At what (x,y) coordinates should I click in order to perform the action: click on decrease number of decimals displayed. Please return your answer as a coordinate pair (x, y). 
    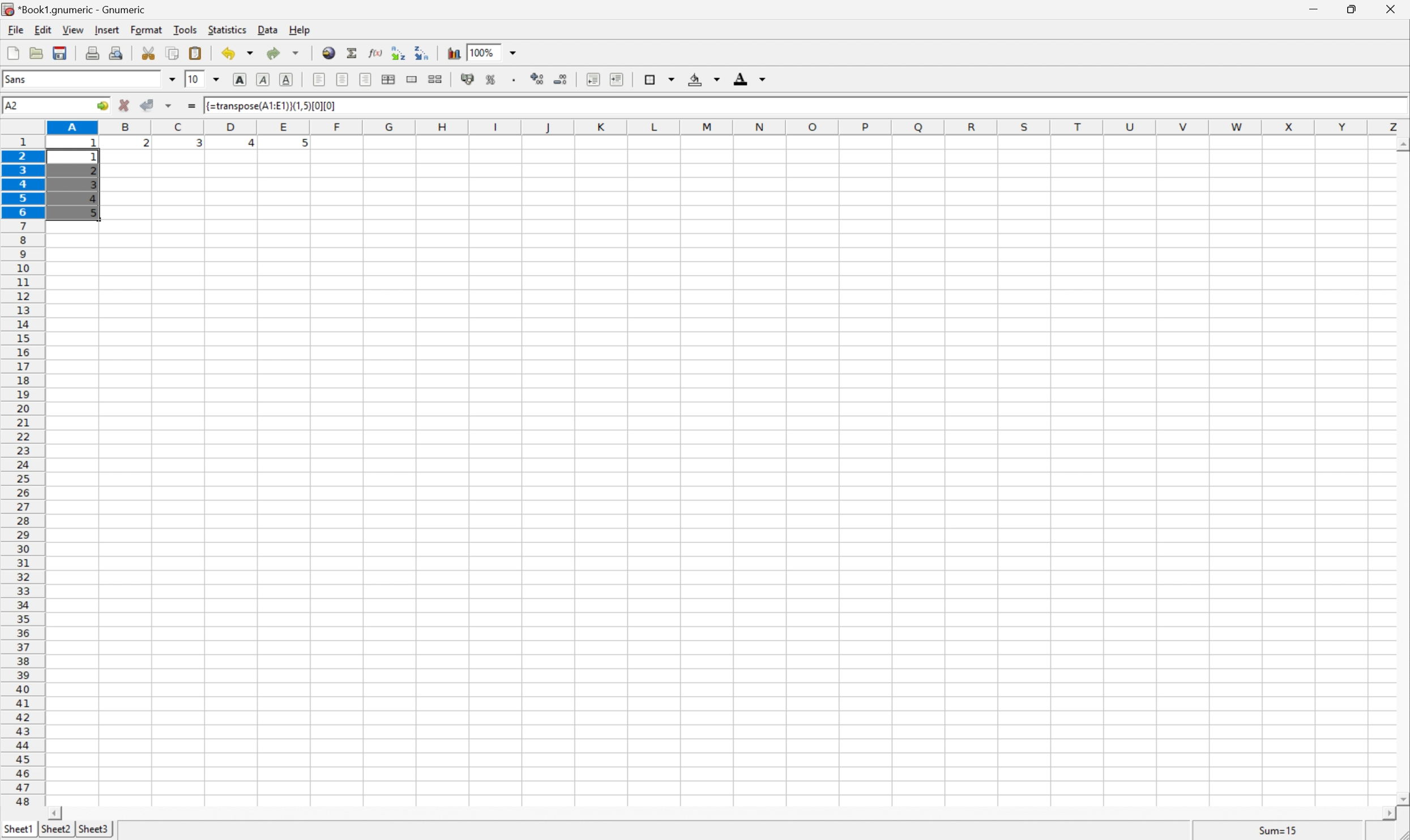
    Looking at the image, I should click on (559, 79).